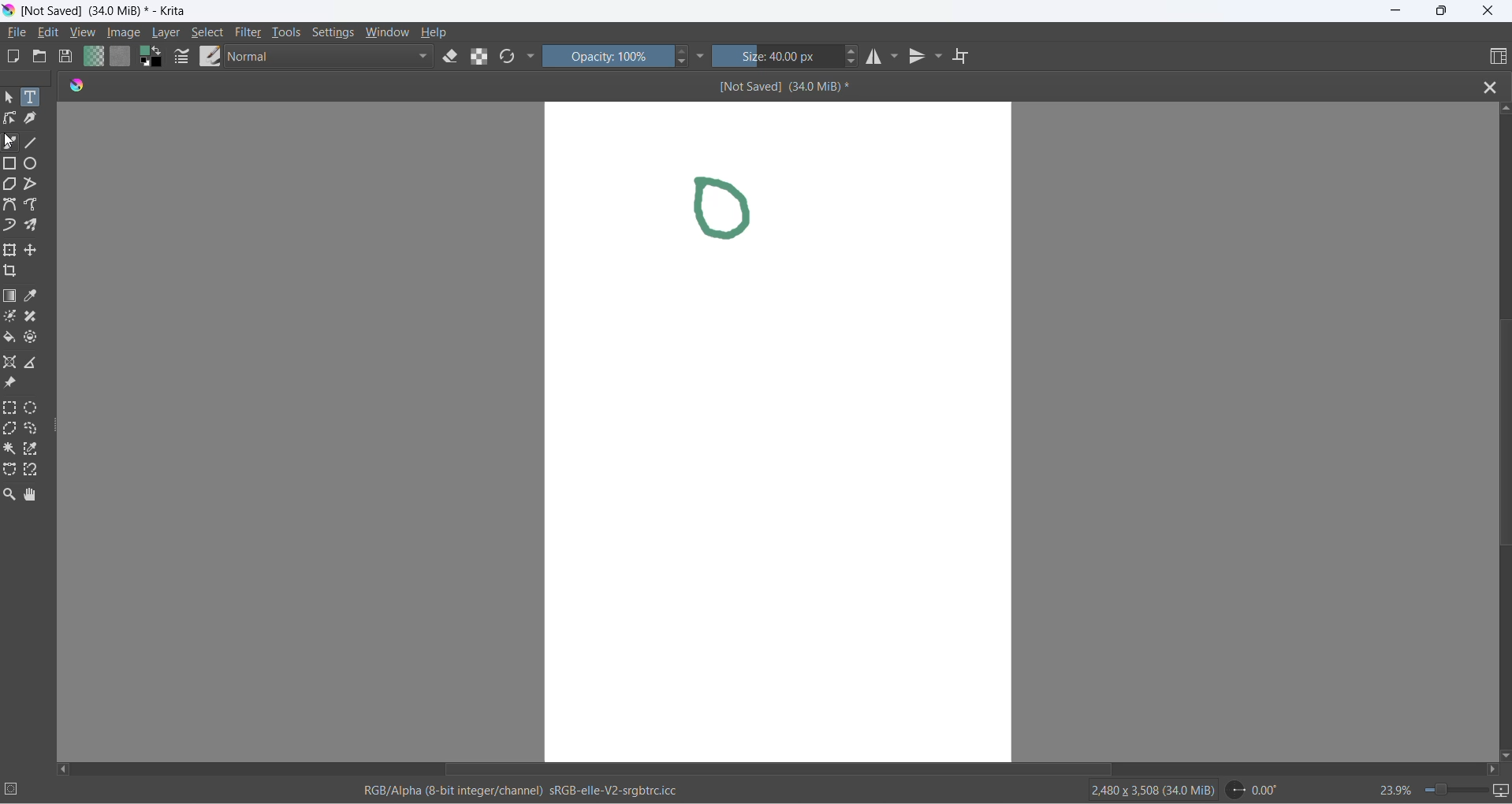  Describe the element at coordinates (10, 206) in the screenshot. I see `Bezier tool ` at that location.